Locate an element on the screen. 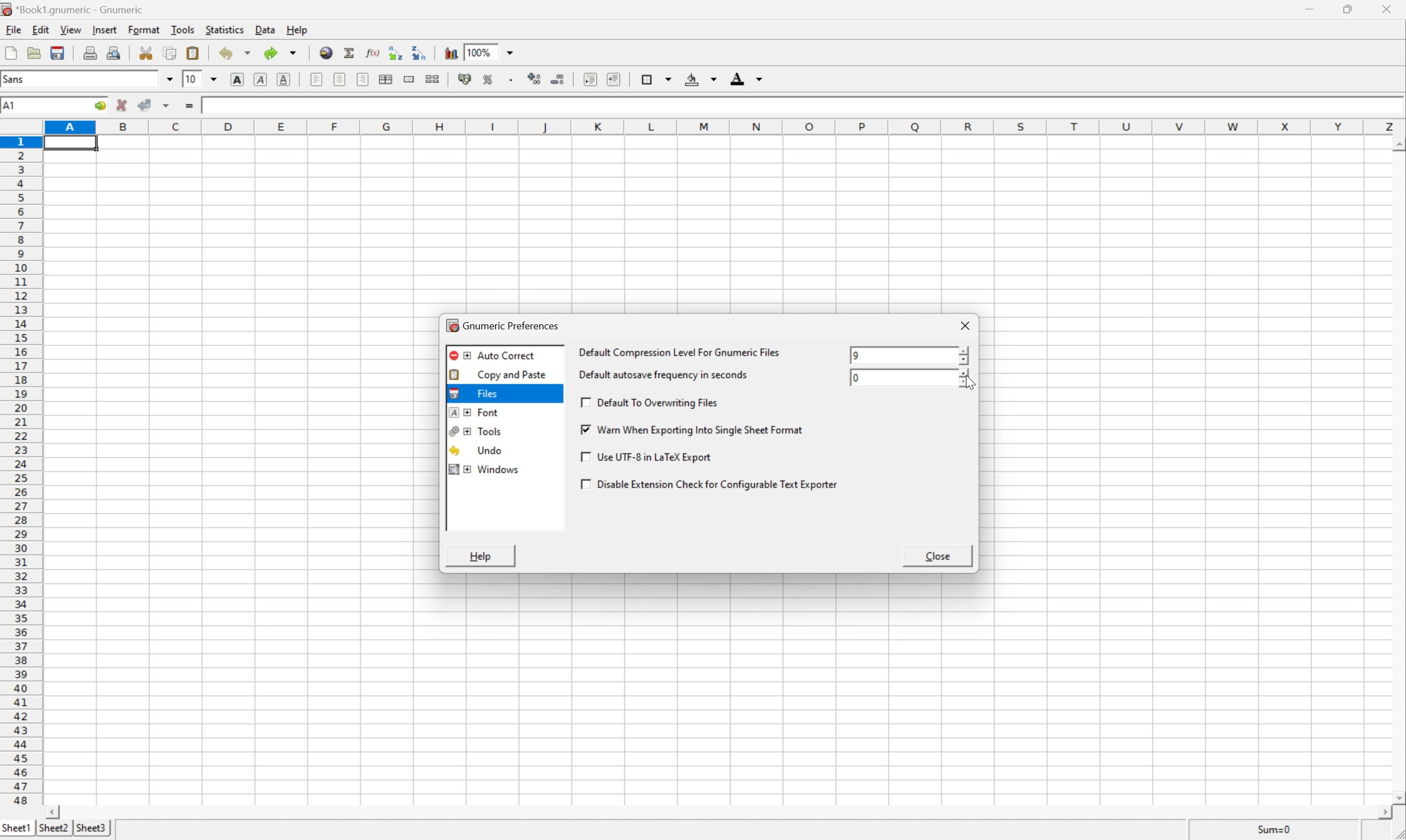  cancel selection is located at coordinates (122, 104).